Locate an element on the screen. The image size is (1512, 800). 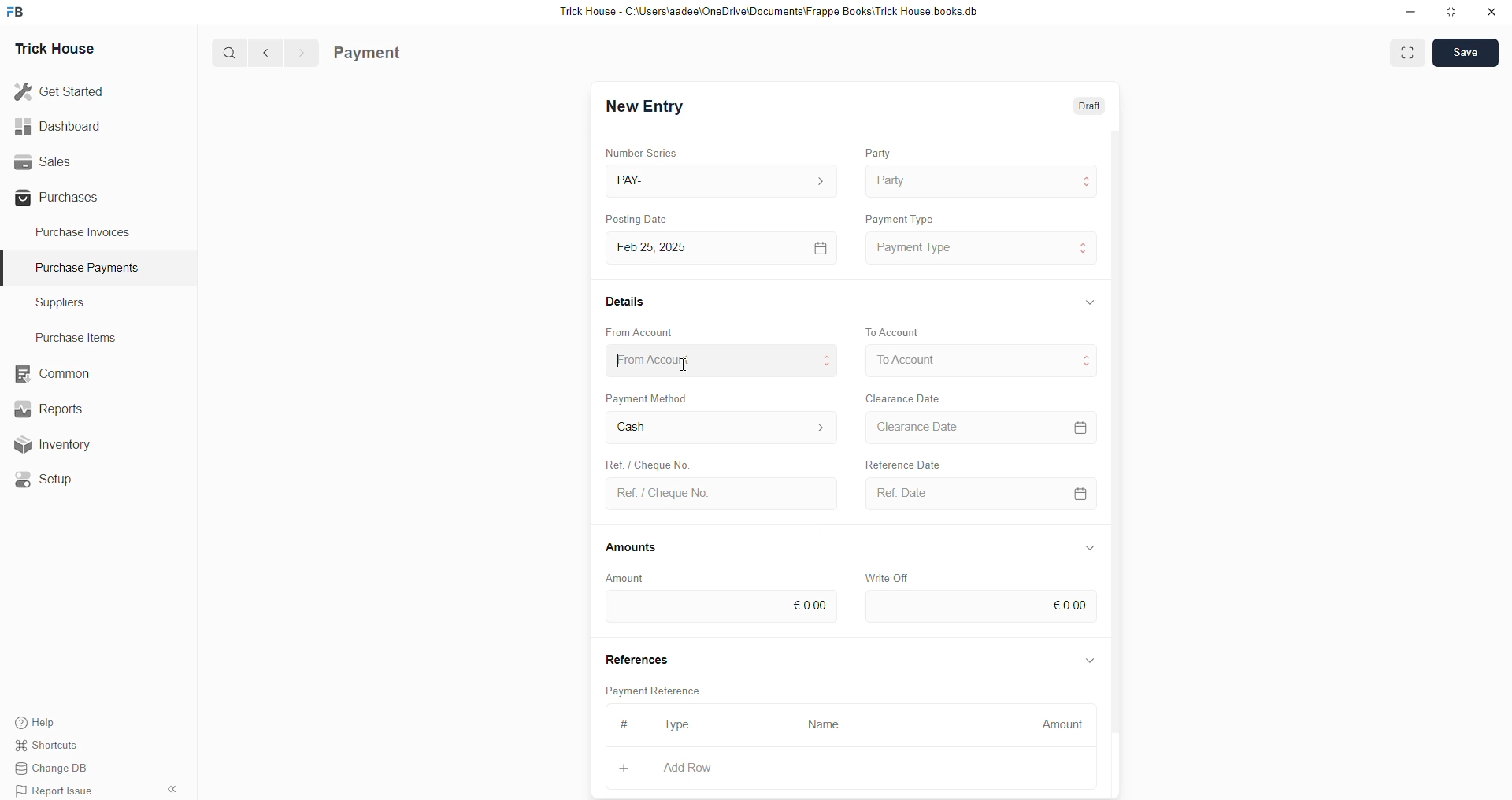
 Get Started is located at coordinates (60, 90).